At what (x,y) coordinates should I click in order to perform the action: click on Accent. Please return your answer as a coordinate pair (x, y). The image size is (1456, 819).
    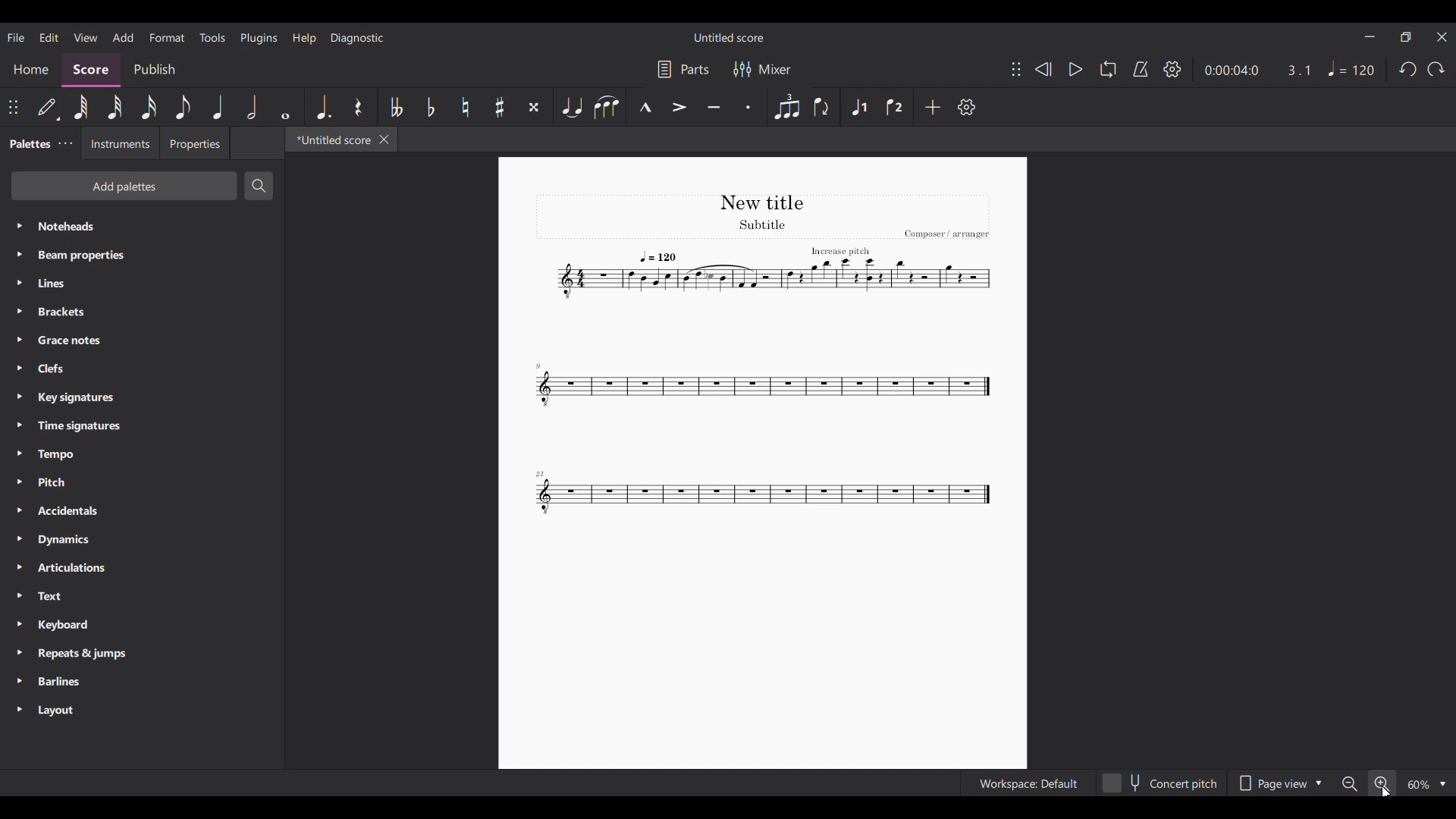
    Looking at the image, I should click on (679, 108).